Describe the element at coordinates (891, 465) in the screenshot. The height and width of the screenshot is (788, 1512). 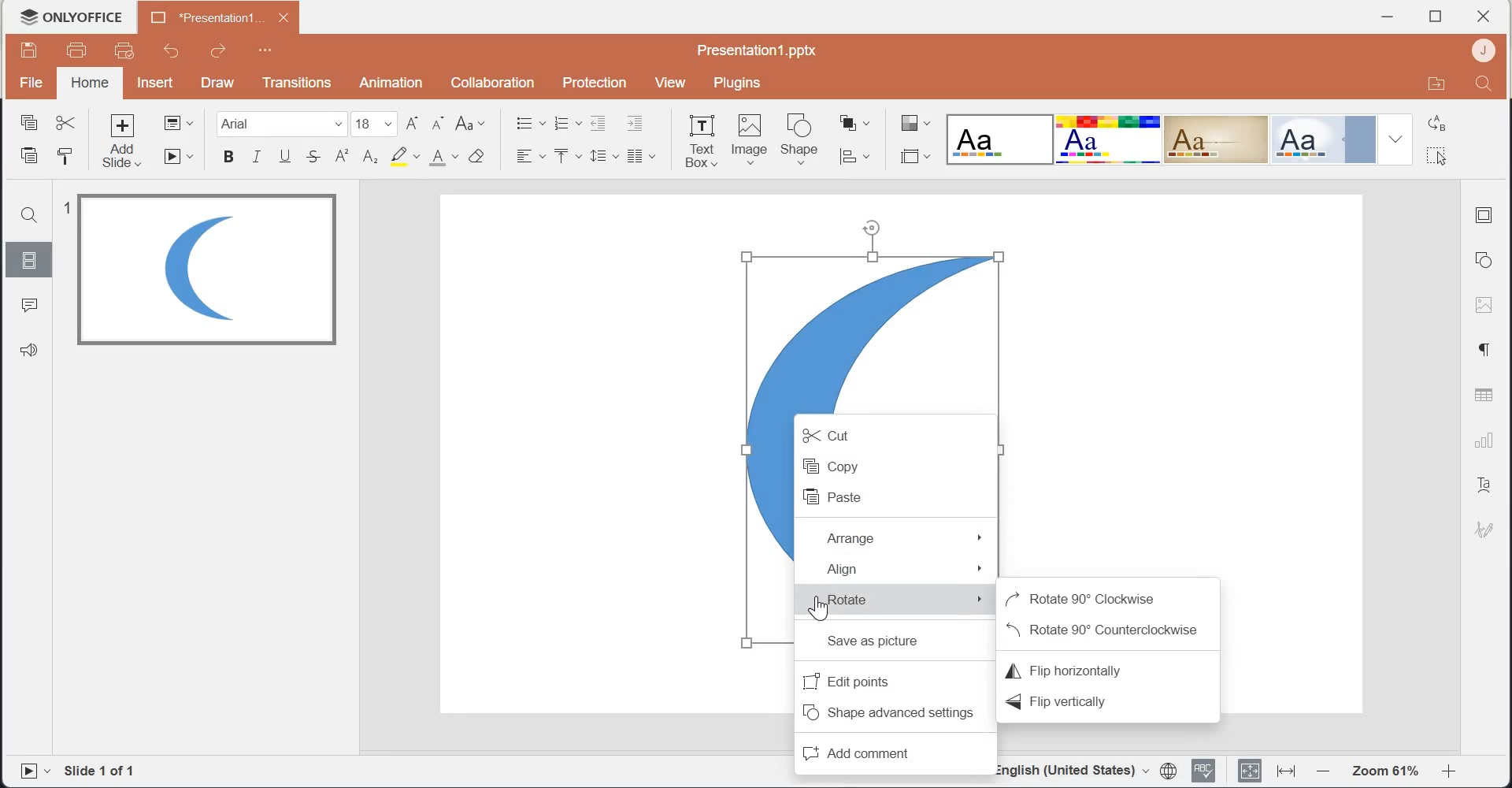
I see `Copy` at that location.